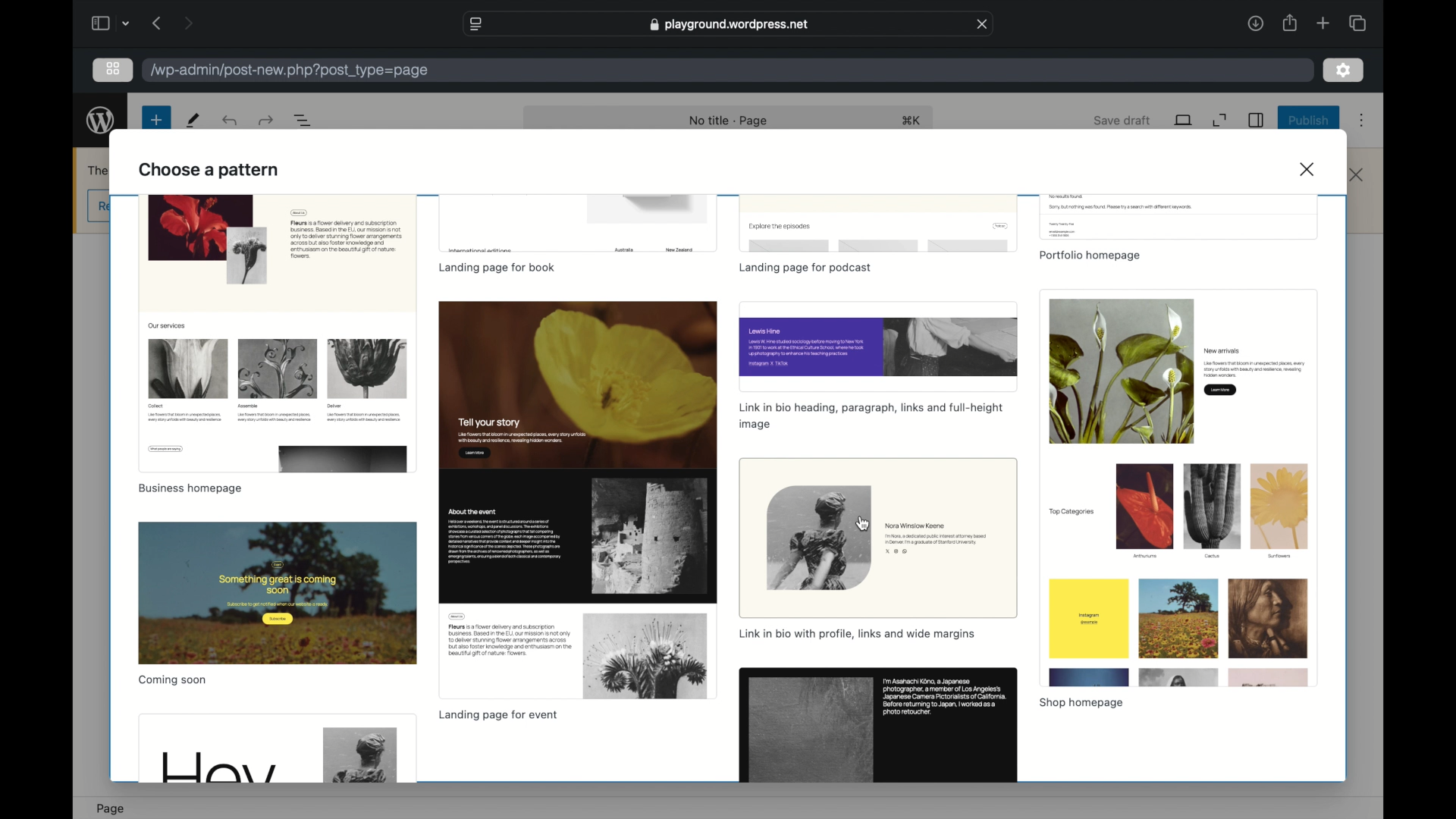 The width and height of the screenshot is (1456, 819). What do you see at coordinates (303, 120) in the screenshot?
I see `document overview` at bounding box center [303, 120].